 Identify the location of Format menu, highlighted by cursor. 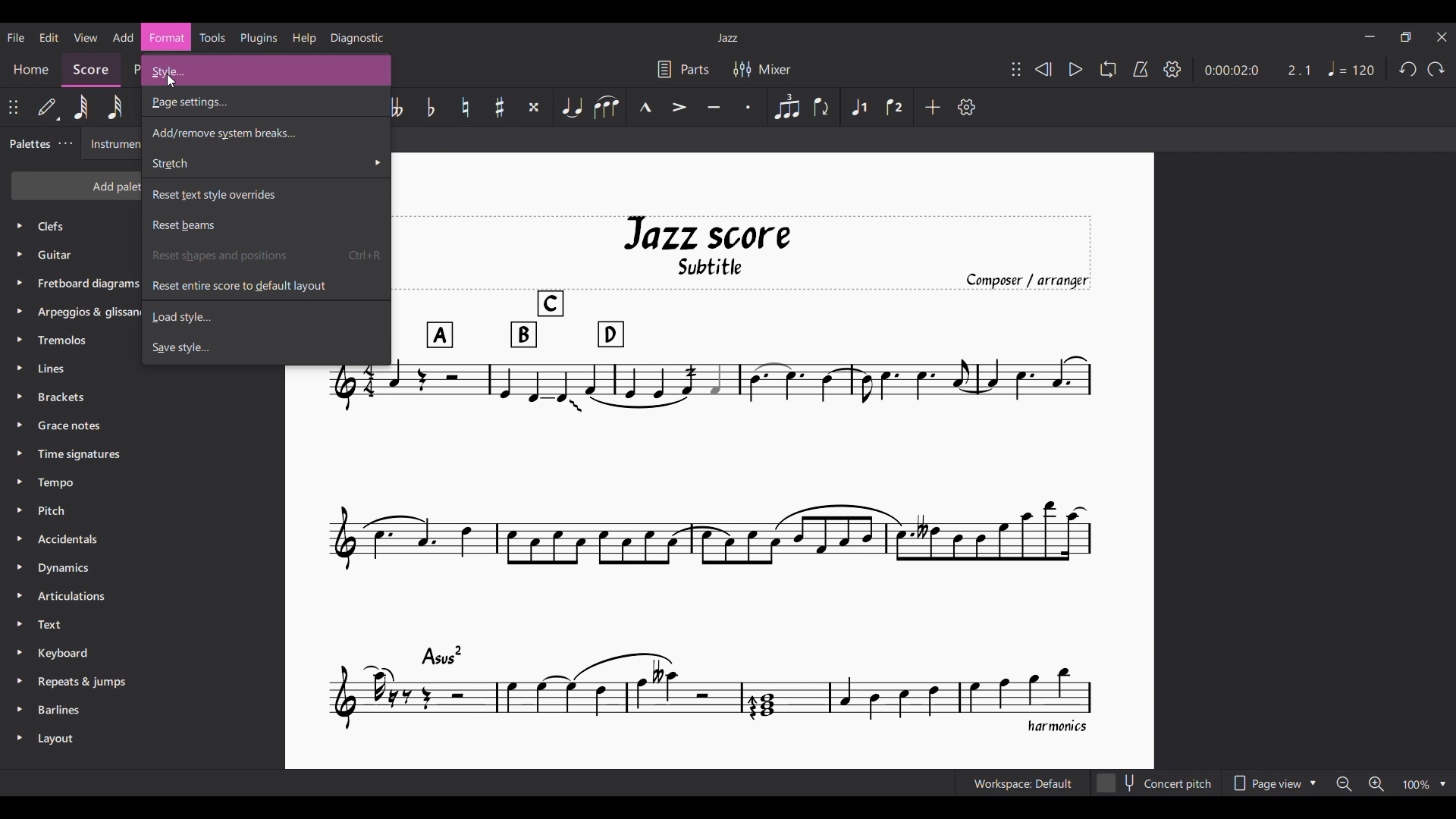
(166, 37).